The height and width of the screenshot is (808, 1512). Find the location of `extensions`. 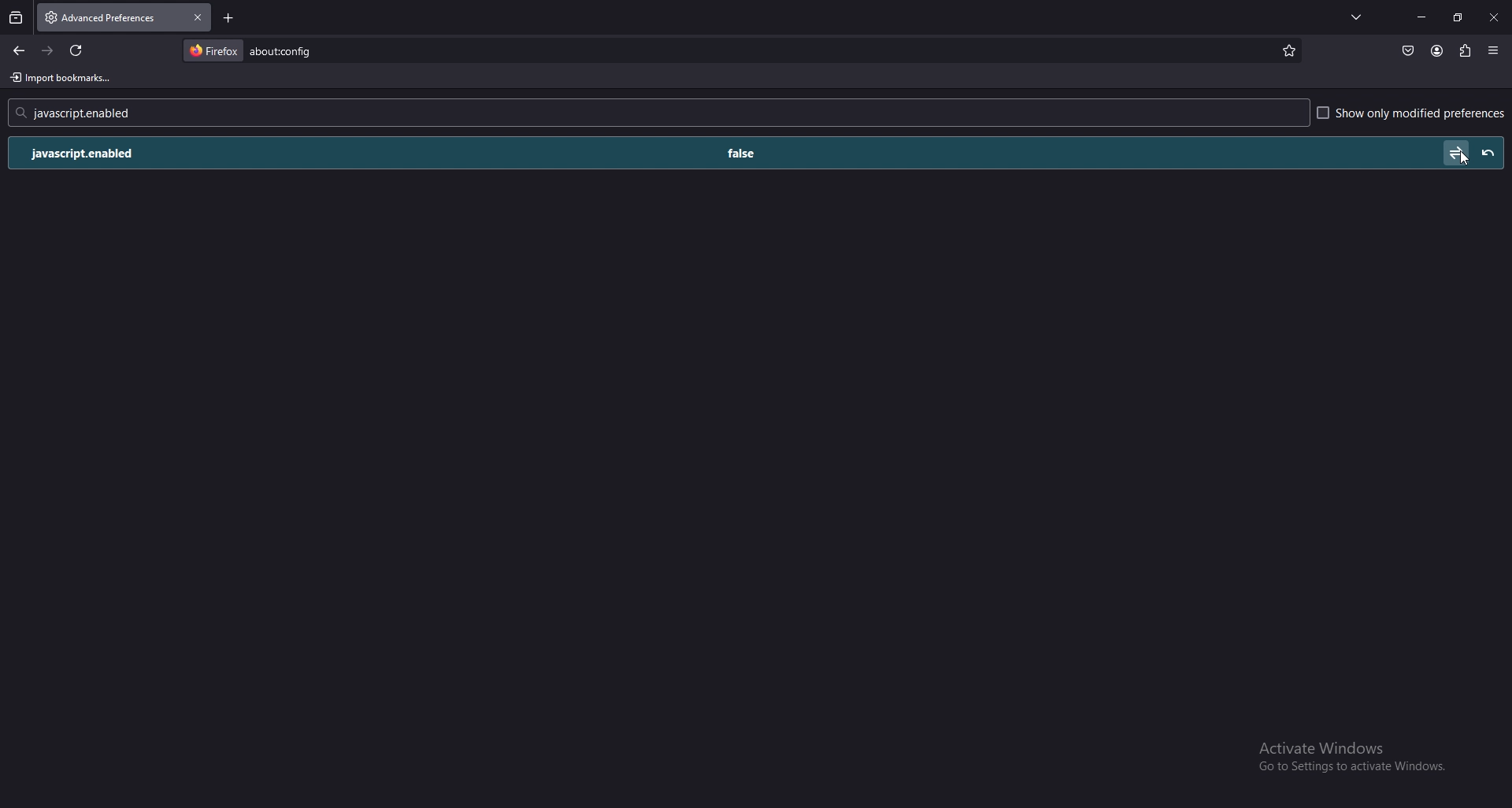

extensions is located at coordinates (1466, 49).